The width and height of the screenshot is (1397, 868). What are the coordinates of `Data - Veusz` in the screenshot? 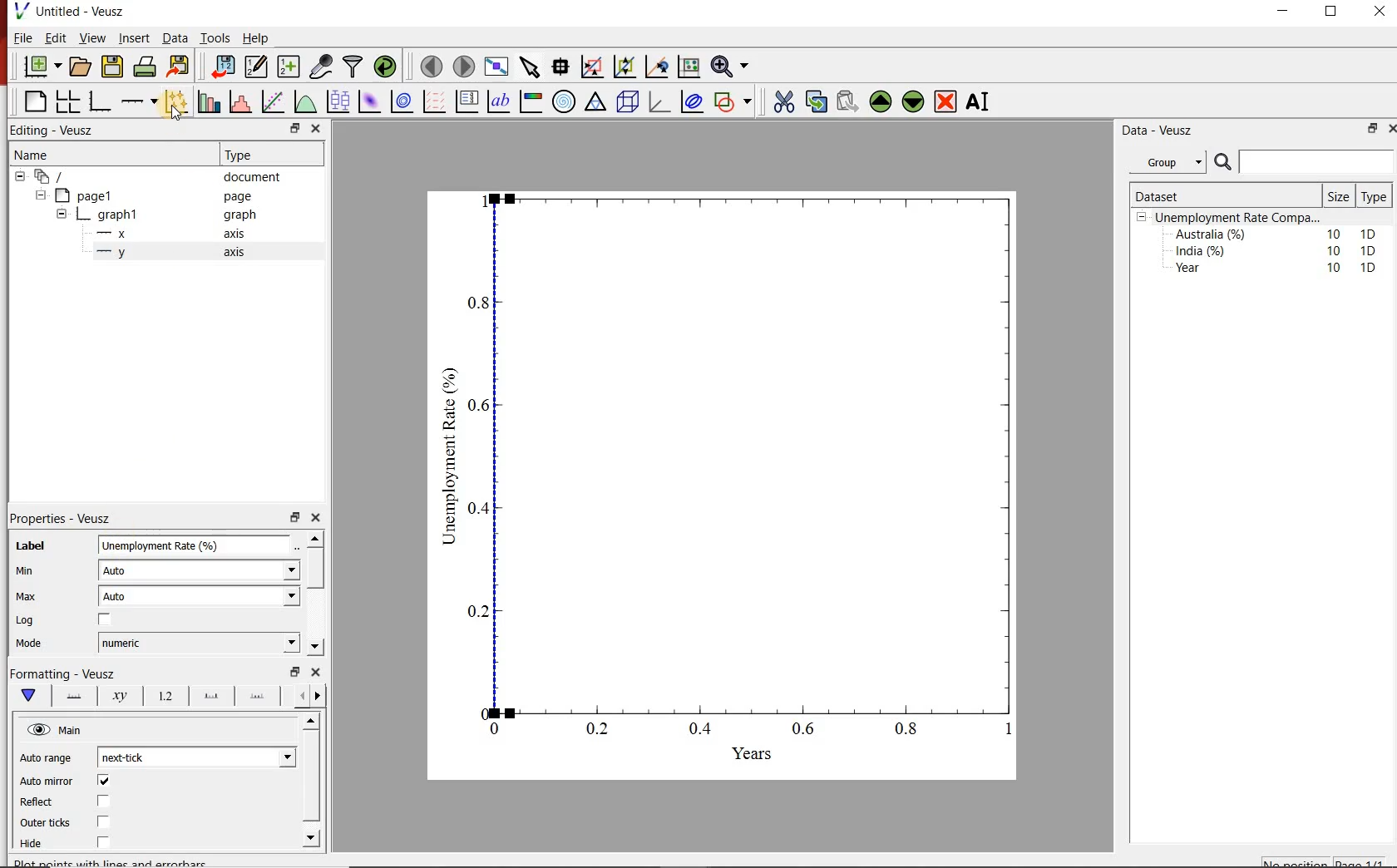 It's located at (1173, 131).